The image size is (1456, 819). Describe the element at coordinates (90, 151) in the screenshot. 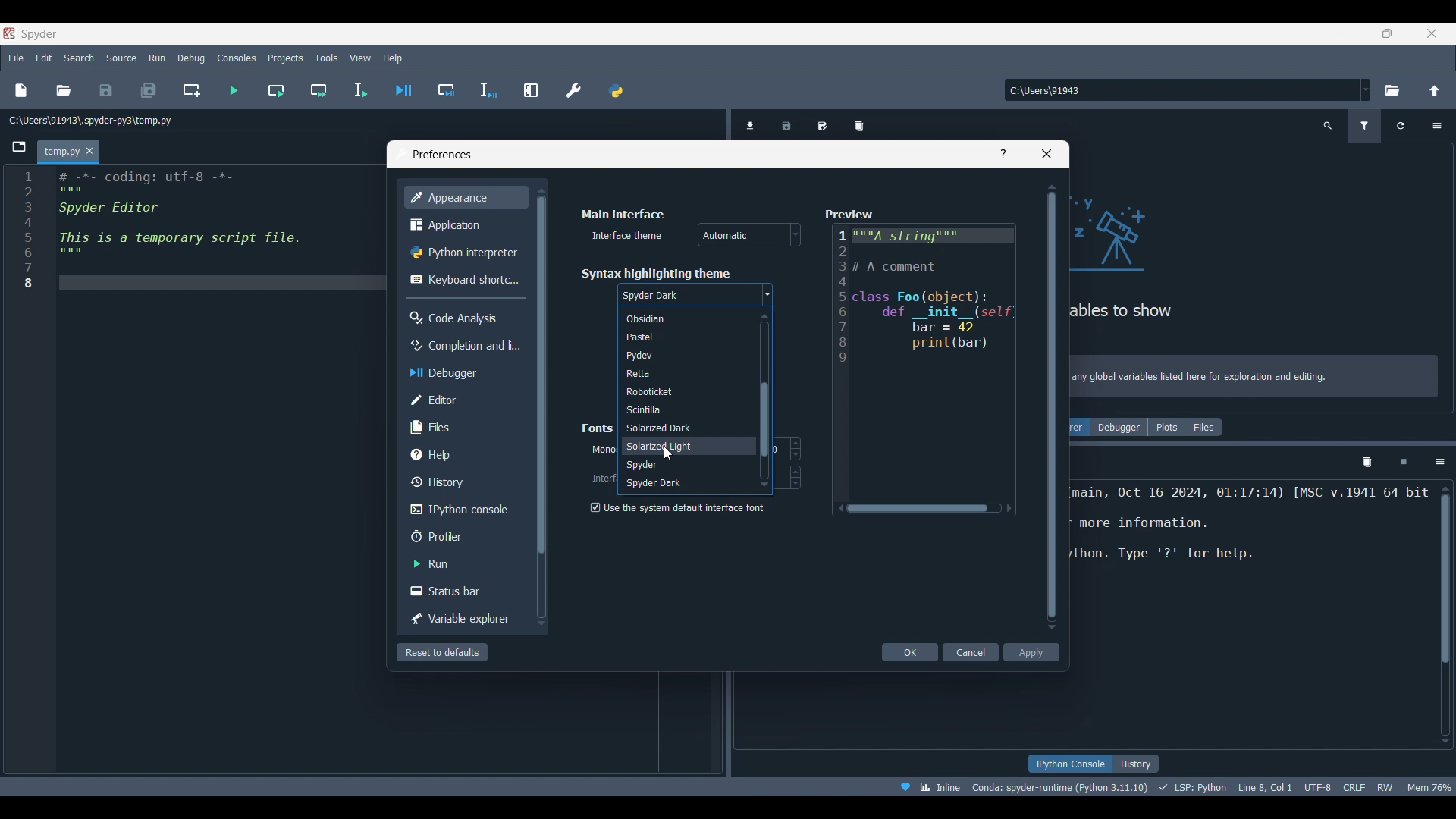

I see `Close` at that location.